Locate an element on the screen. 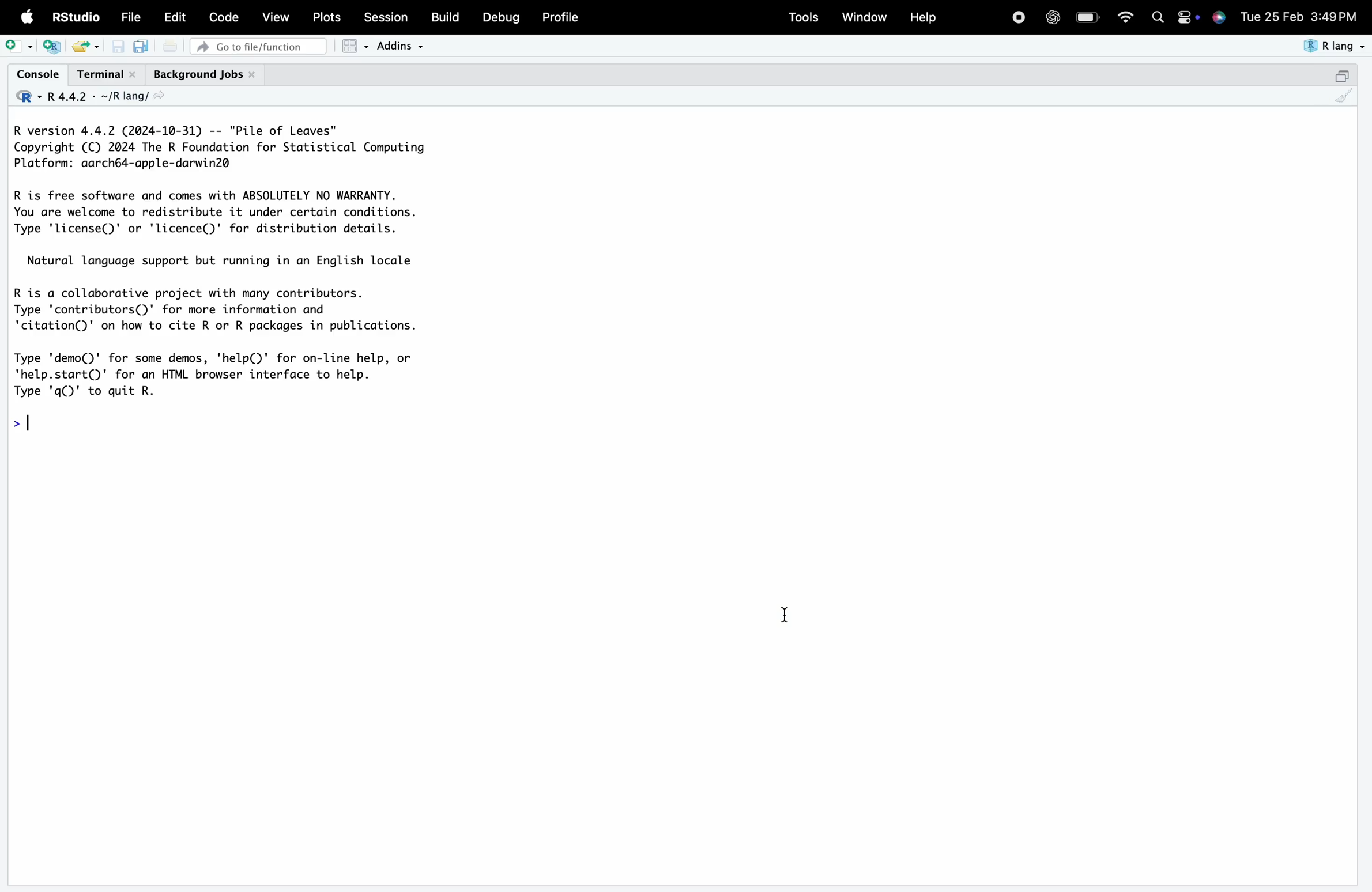  Tools is located at coordinates (804, 17).